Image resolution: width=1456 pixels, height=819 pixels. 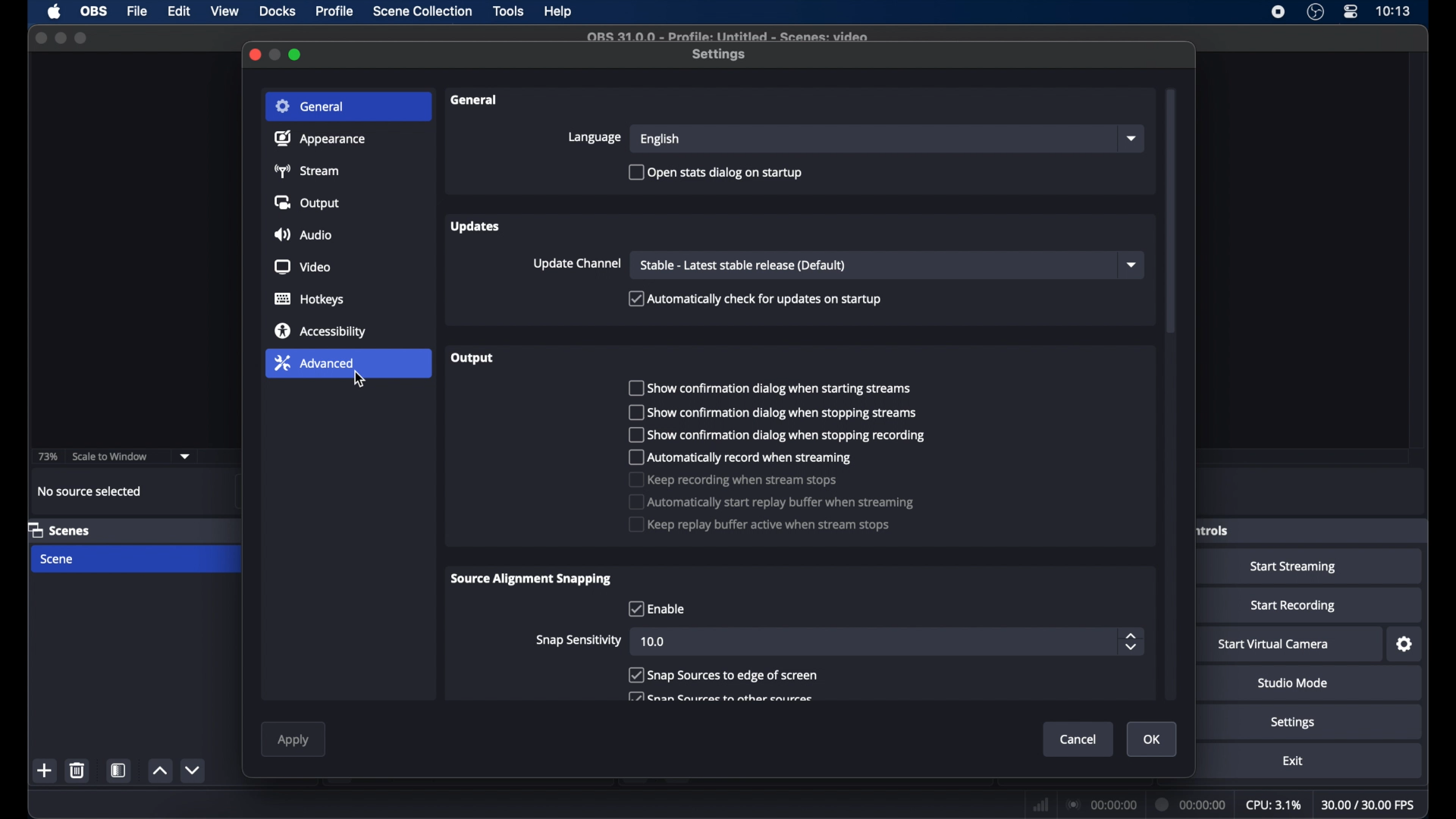 What do you see at coordinates (559, 12) in the screenshot?
I see `help` at bounding box center [559, 12].